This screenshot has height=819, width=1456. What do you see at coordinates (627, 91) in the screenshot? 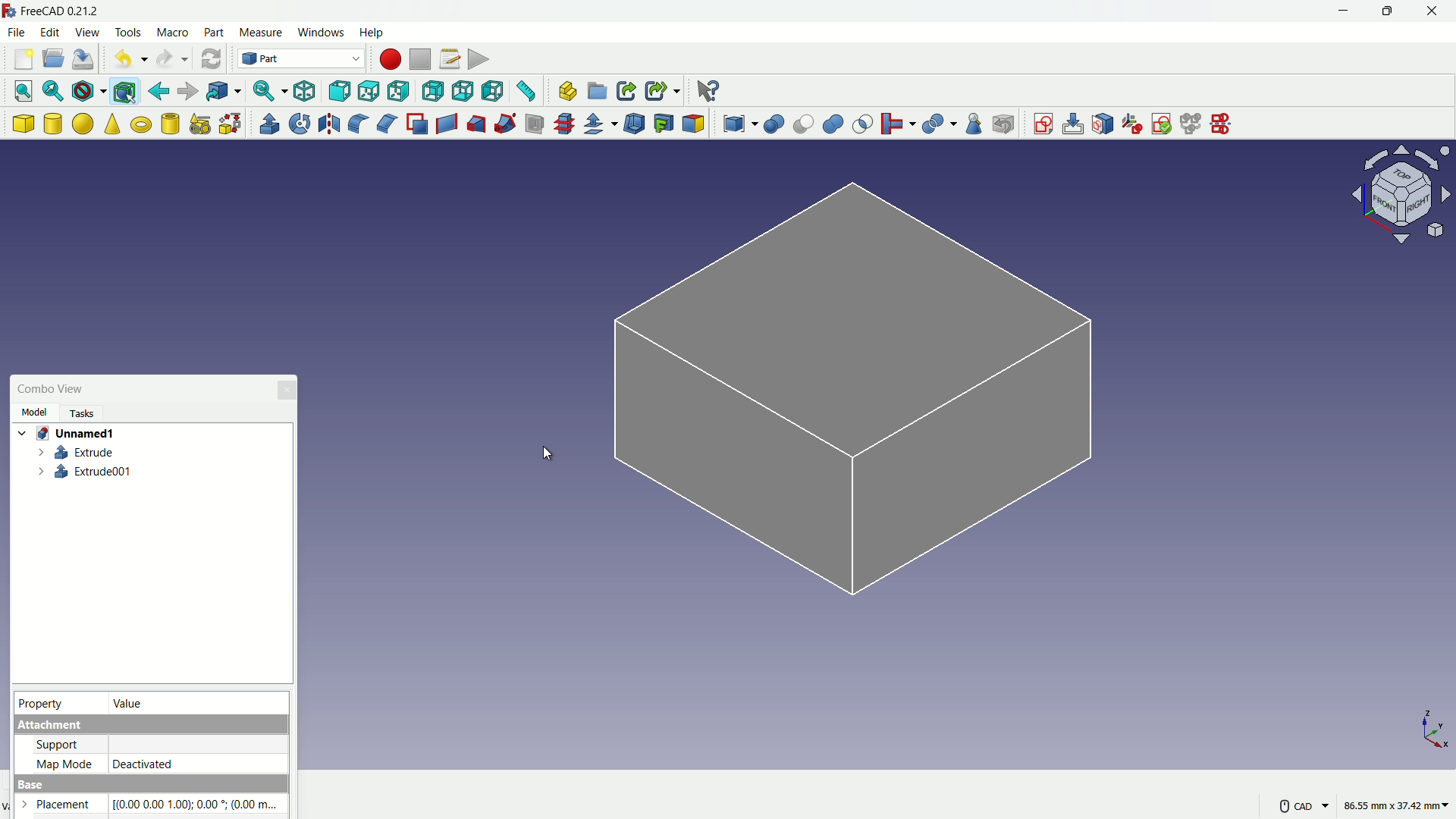
I see `create link` at bounding box center [627, 91].